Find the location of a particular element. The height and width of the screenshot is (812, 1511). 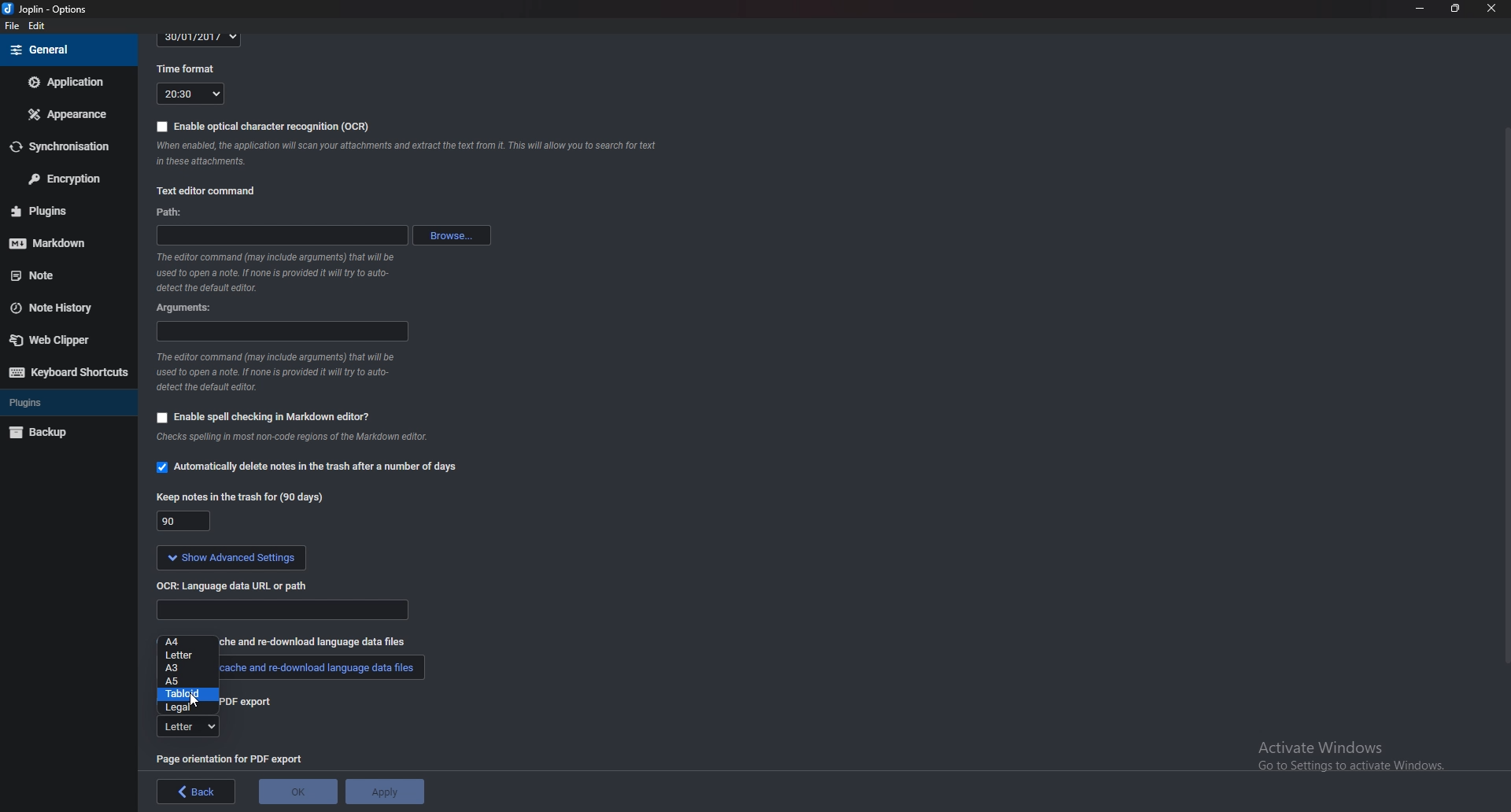

back is located at coordinates (197, 792).